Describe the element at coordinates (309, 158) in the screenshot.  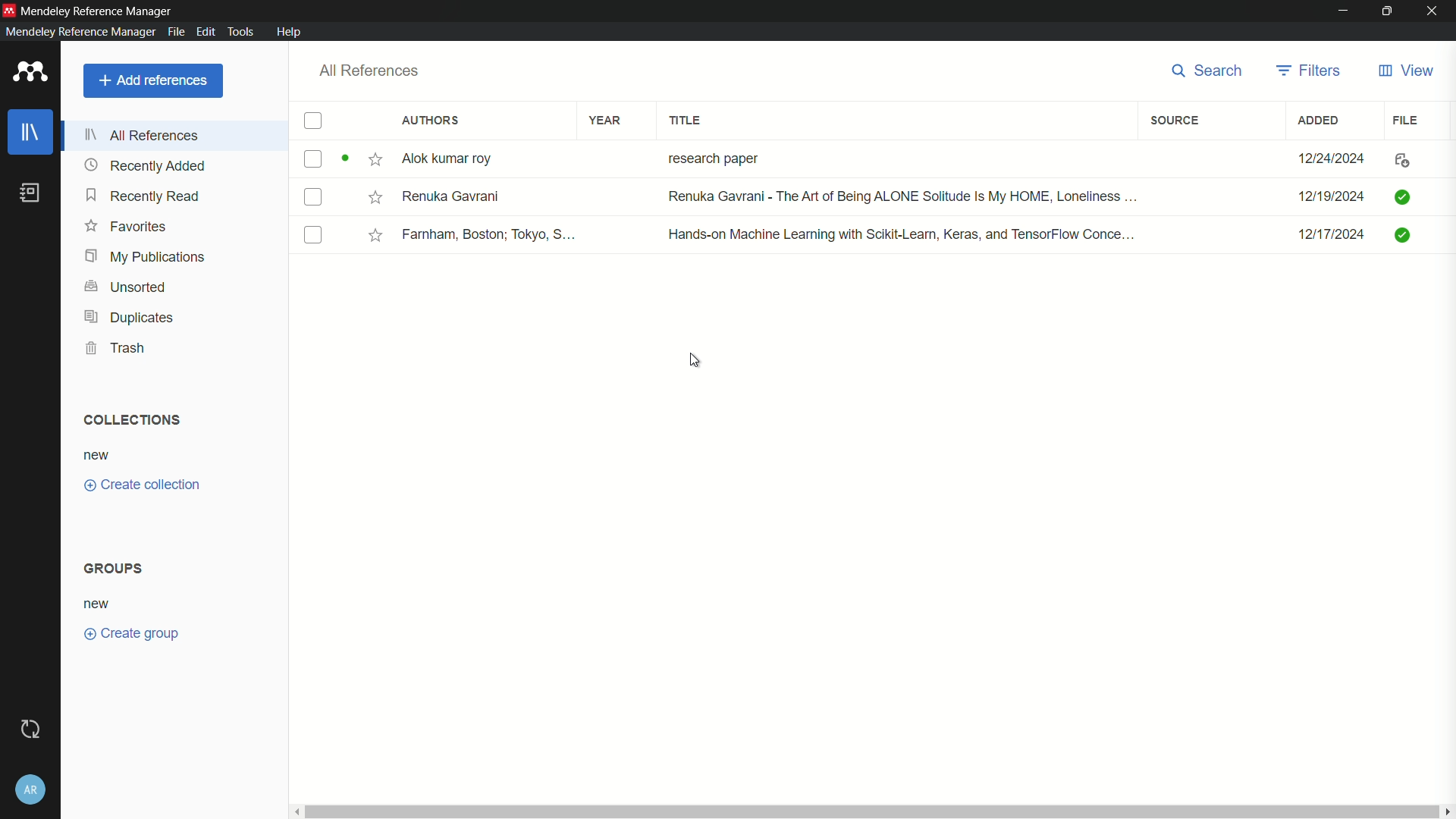
I see `check` at that location.